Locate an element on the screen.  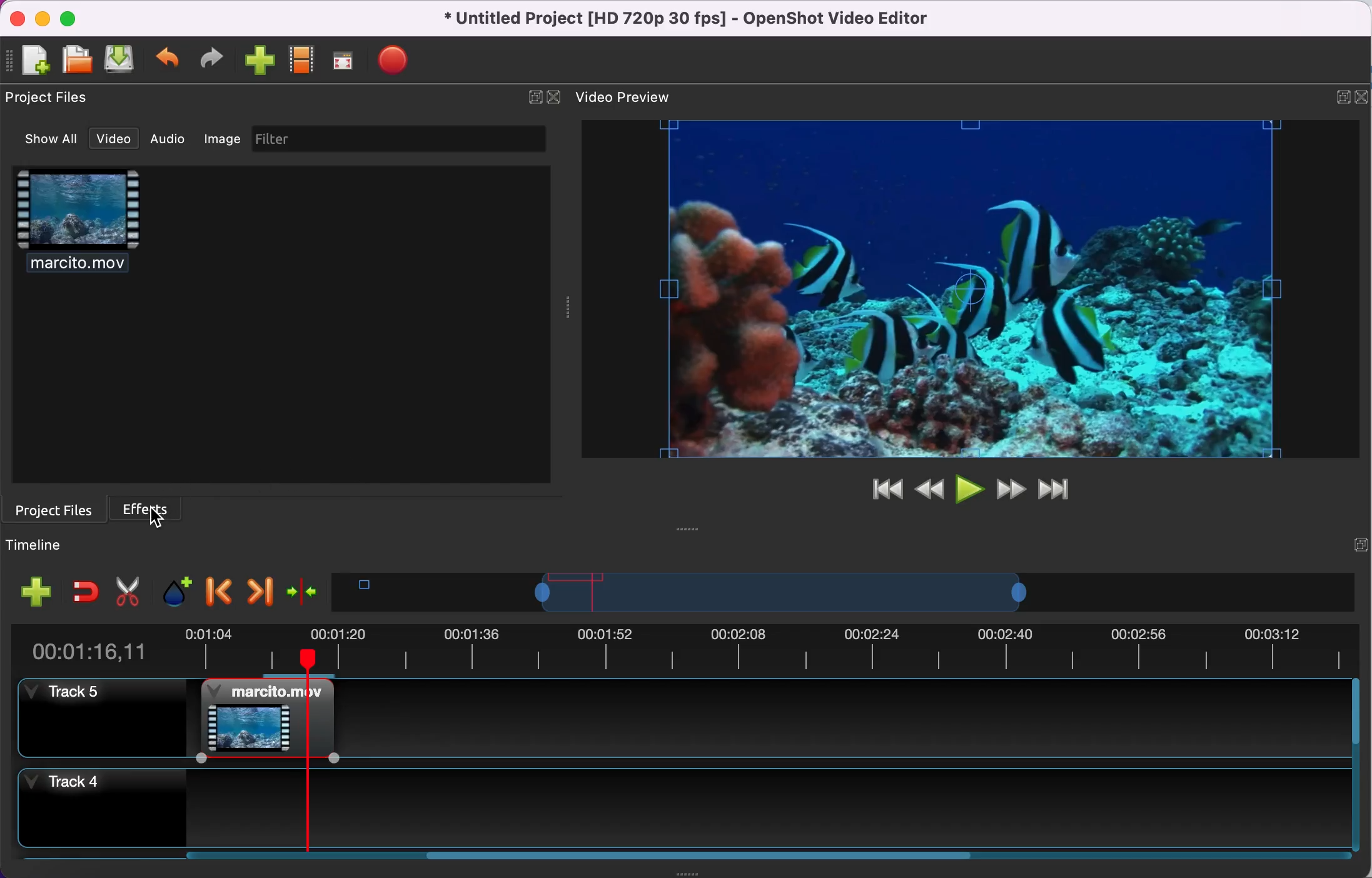
effects is located at coordinates (149, 507).